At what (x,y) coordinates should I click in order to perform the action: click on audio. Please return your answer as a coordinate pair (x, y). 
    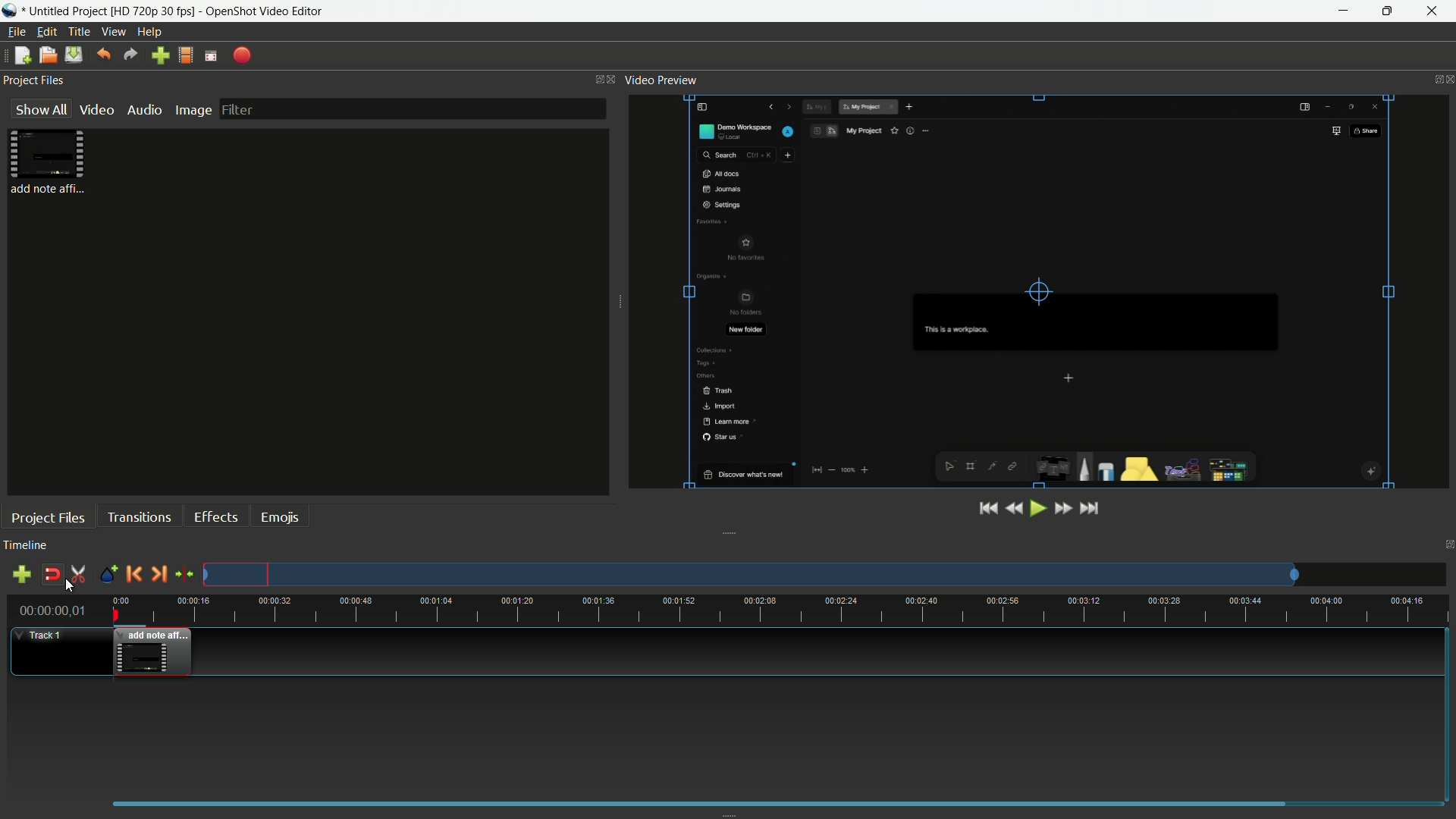
    Looking at the image, I should click on (143, 111).